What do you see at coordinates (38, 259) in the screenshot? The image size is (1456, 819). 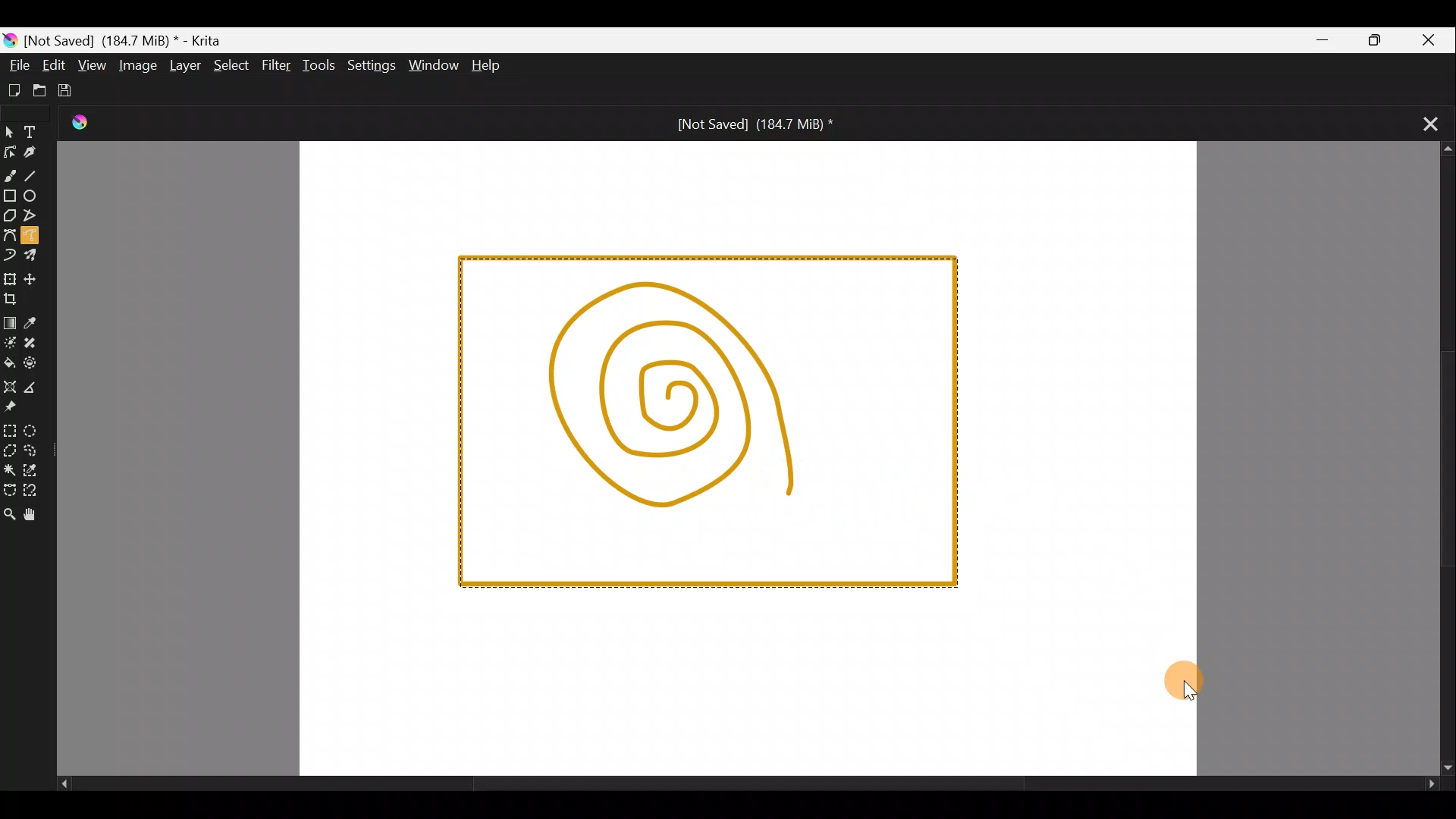 I see `Multibrush tool` at bounding box center [38, 259].